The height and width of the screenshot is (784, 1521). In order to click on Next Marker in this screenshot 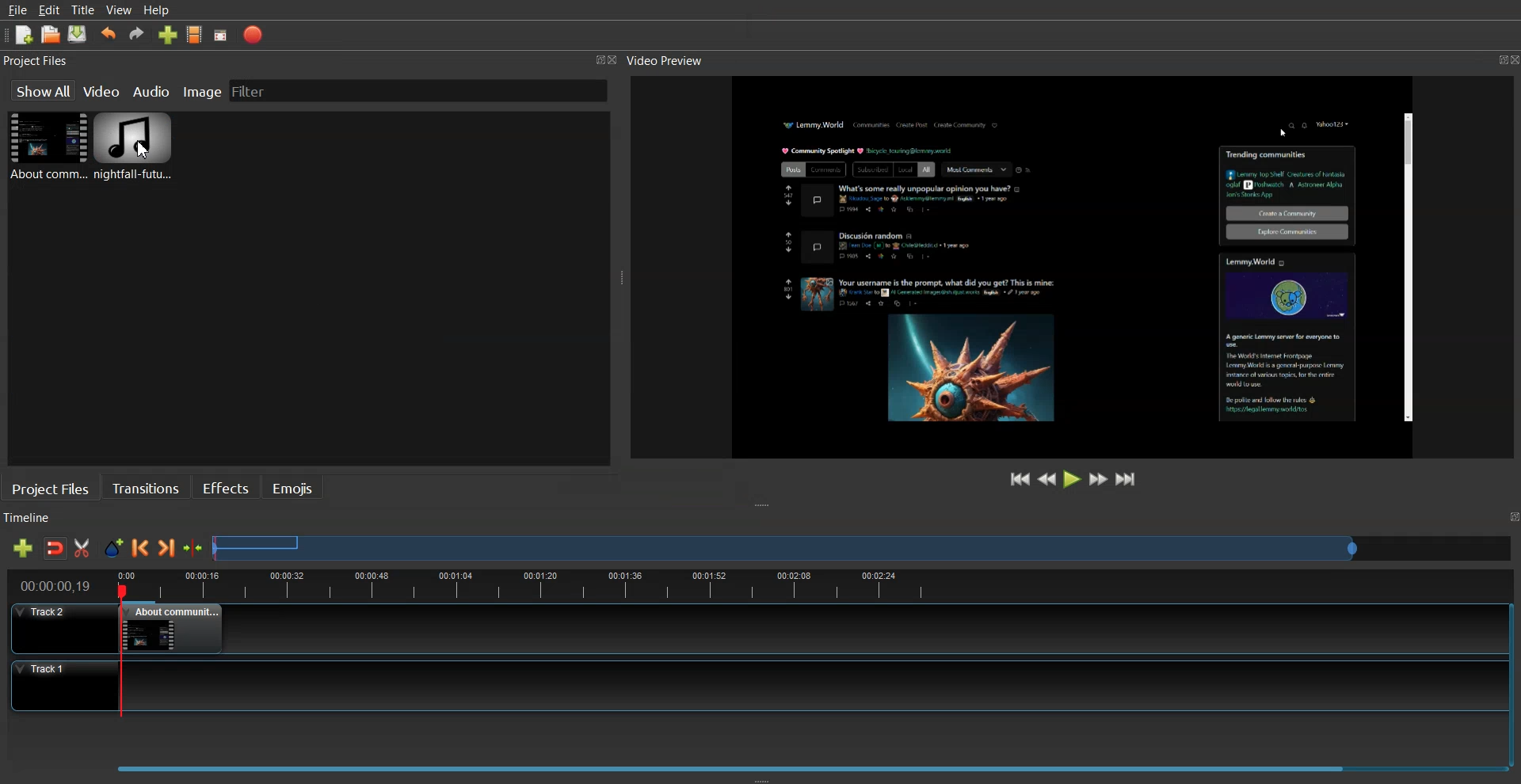, I will do `click(167, 547)`.